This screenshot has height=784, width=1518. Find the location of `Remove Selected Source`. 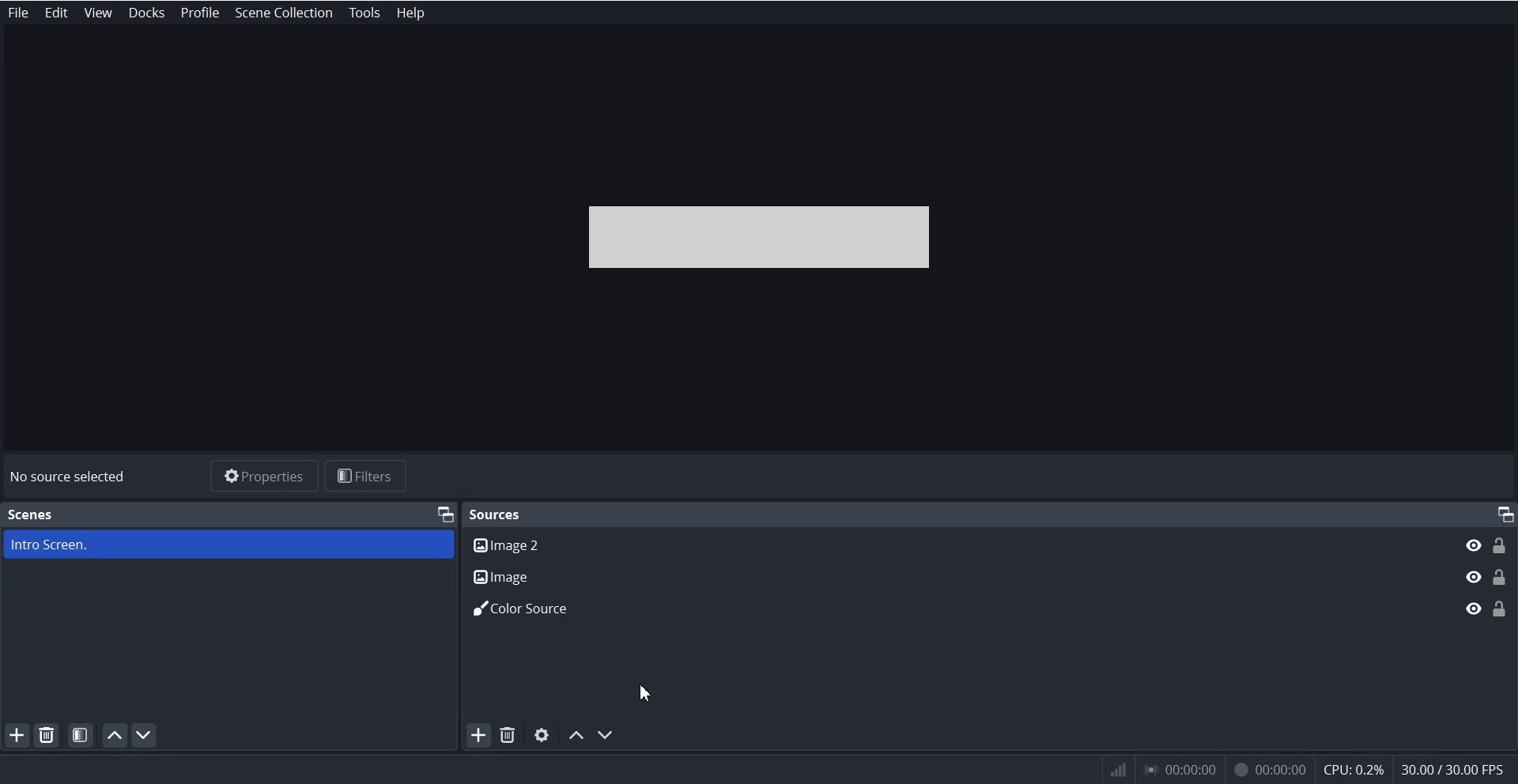

Remove Selected Source is located at coordinates (508, 736).